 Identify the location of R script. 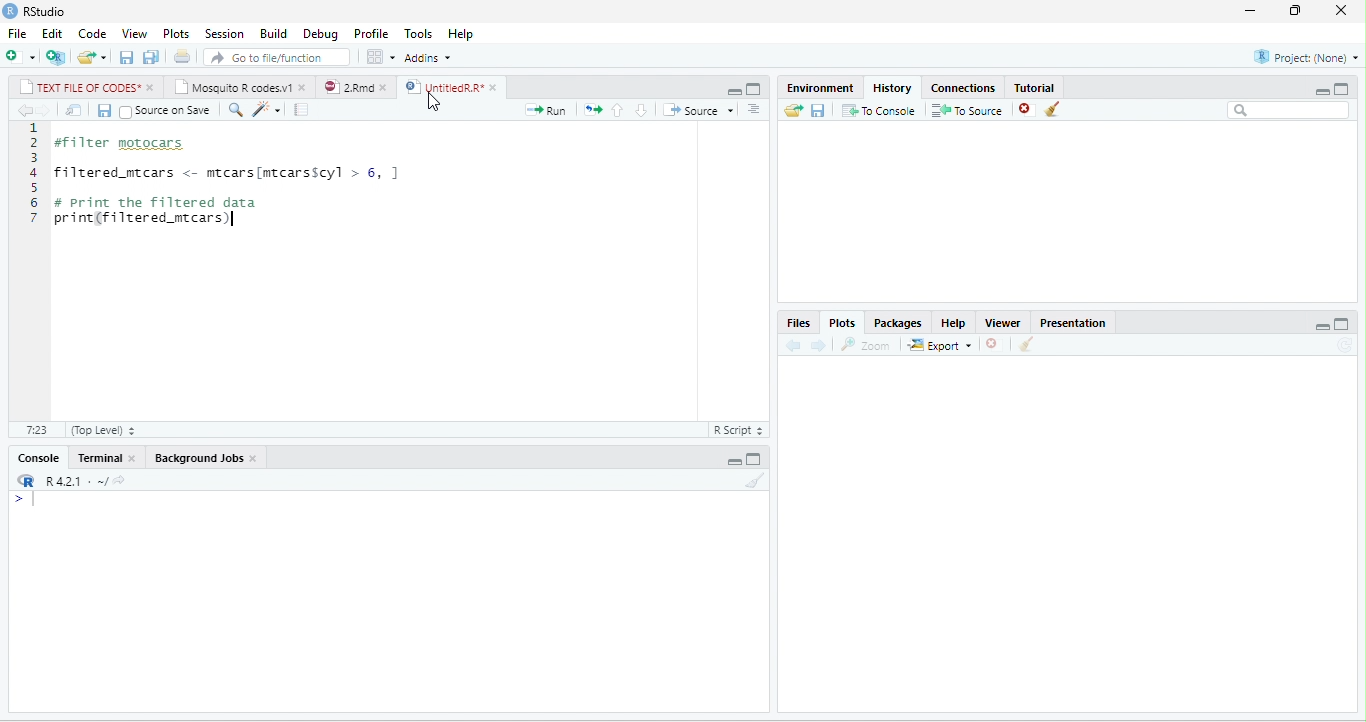
(738, 430).